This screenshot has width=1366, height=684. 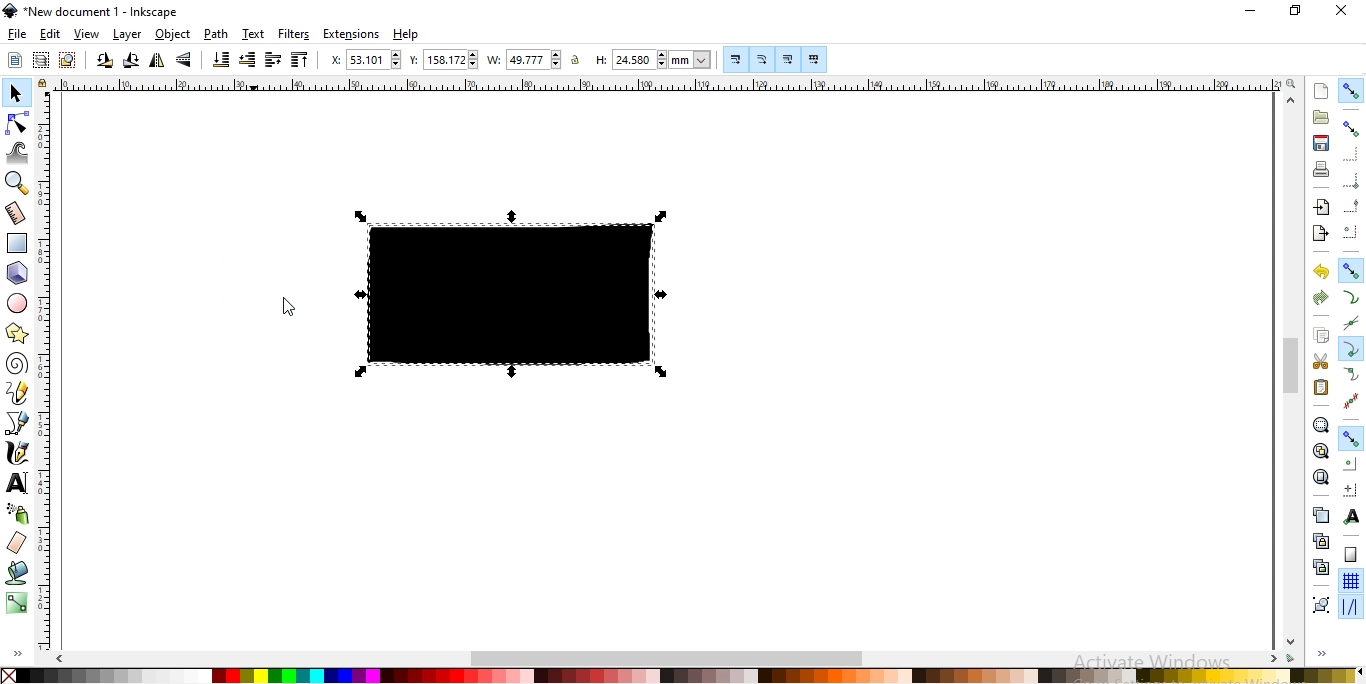 What do you see at coordinates (128, 35) in the screenshot?
I see `layer` at bounding box center [128, 35].